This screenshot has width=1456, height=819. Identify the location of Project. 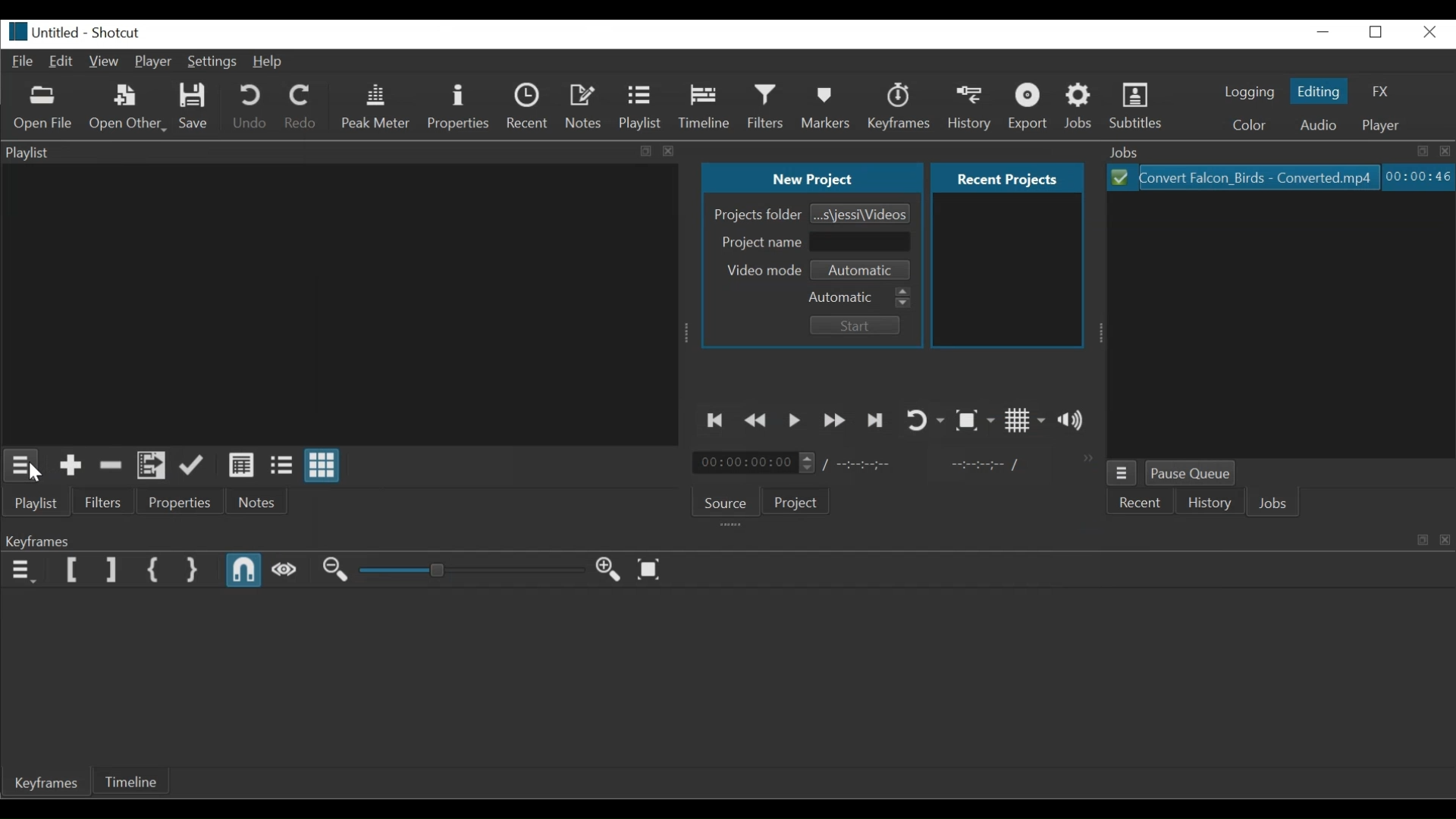
(799, 501).